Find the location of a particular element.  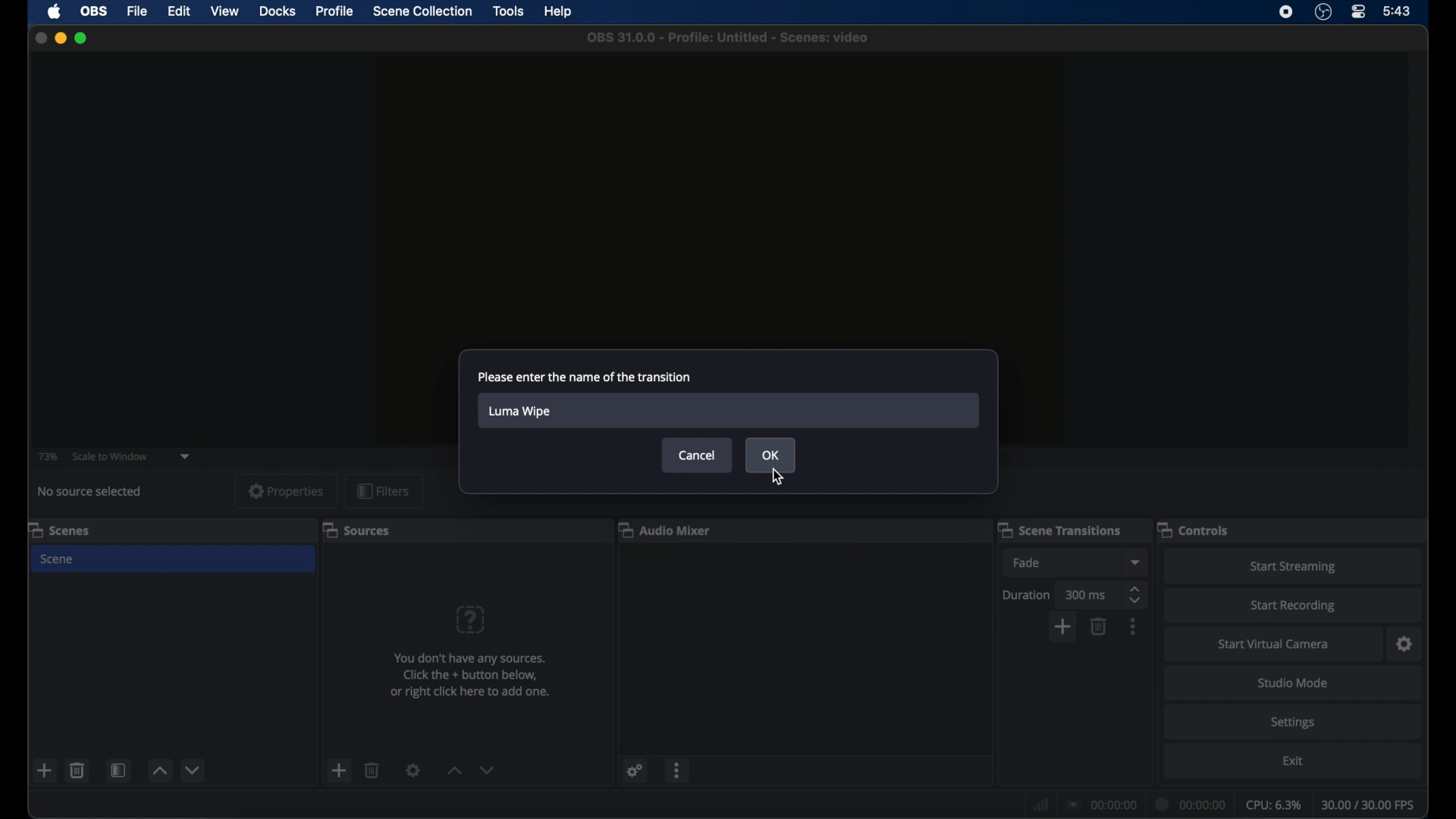

add is located at coordinates (1062, 629).